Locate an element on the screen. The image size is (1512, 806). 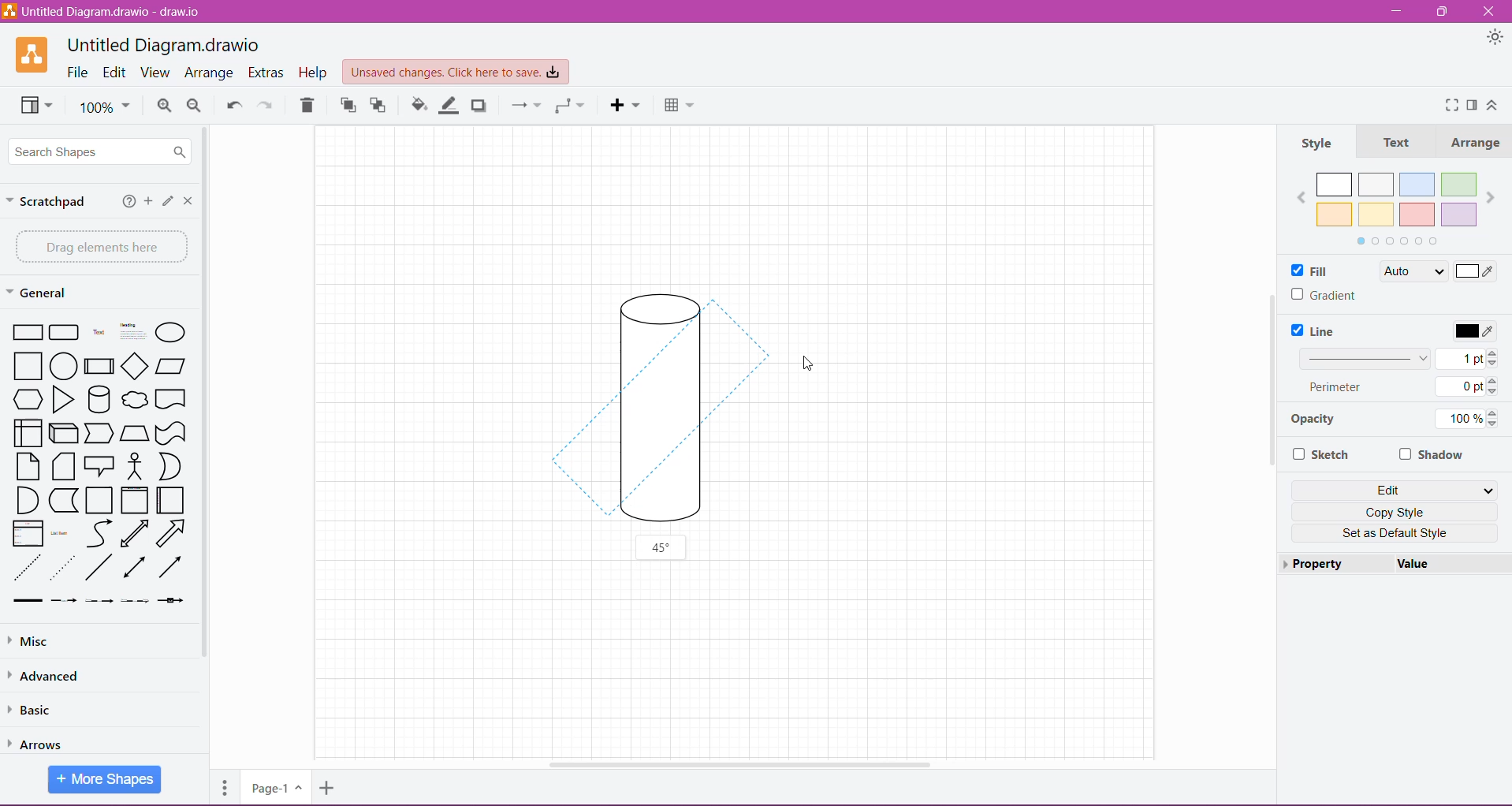
Scratchpad is located at coordinates (50, 203).